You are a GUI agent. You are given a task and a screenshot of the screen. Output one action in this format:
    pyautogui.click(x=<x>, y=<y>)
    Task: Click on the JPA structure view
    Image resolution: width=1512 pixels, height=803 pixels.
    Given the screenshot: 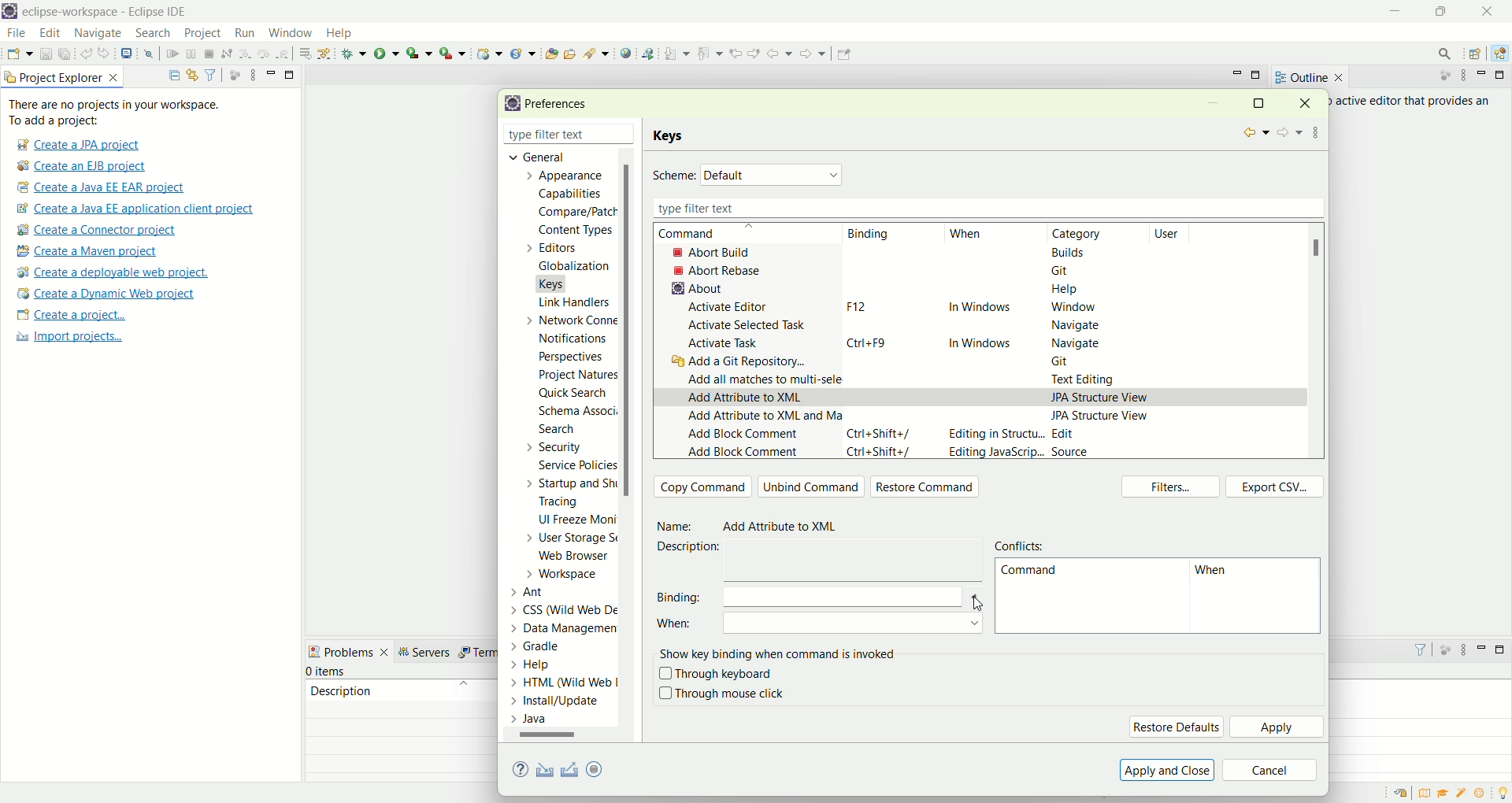 What is the action you would take?
    pyautogui.click(x=1102, y=415)
    